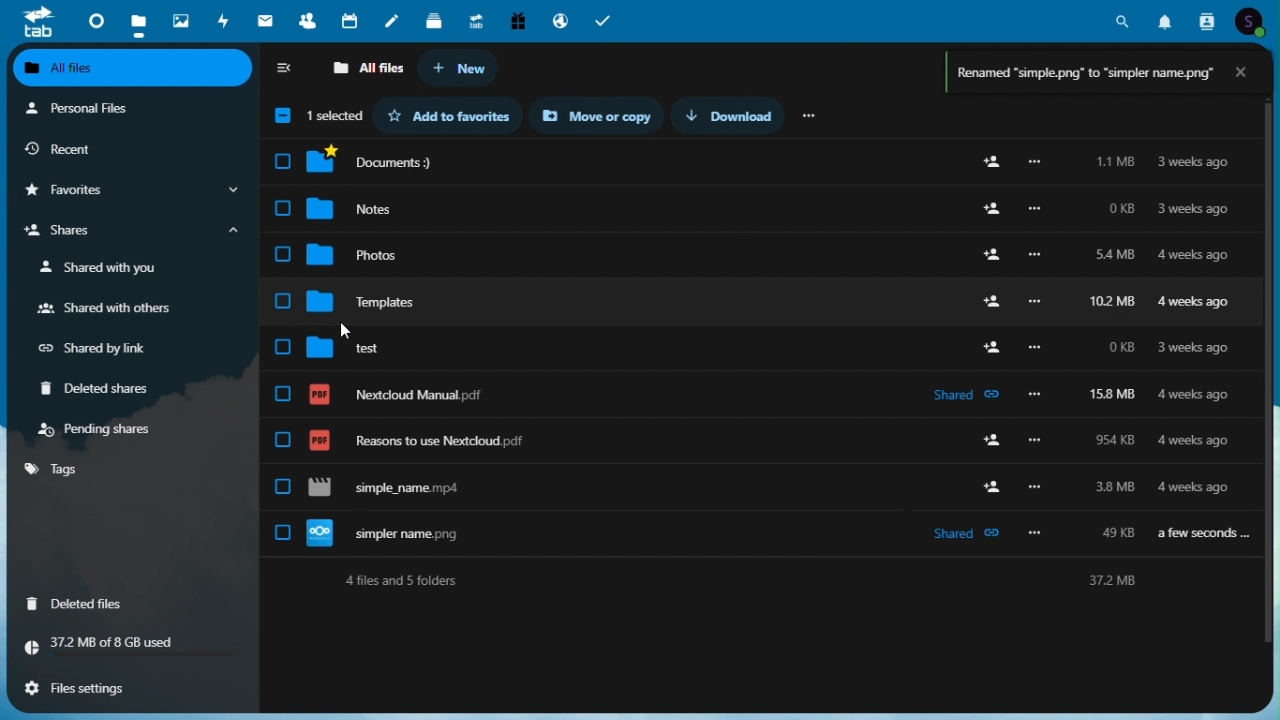 This screenshot has height=720, width=1280. I want to click on file settings, so click(126, 686).